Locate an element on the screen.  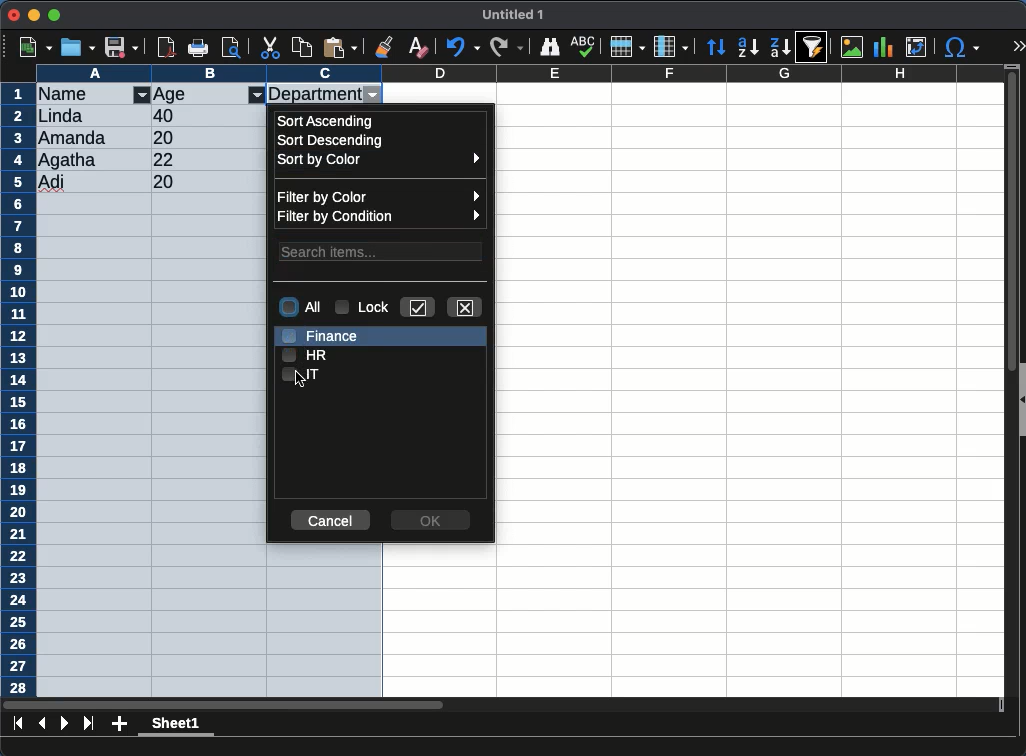
add is located at coordinates (119, 725).